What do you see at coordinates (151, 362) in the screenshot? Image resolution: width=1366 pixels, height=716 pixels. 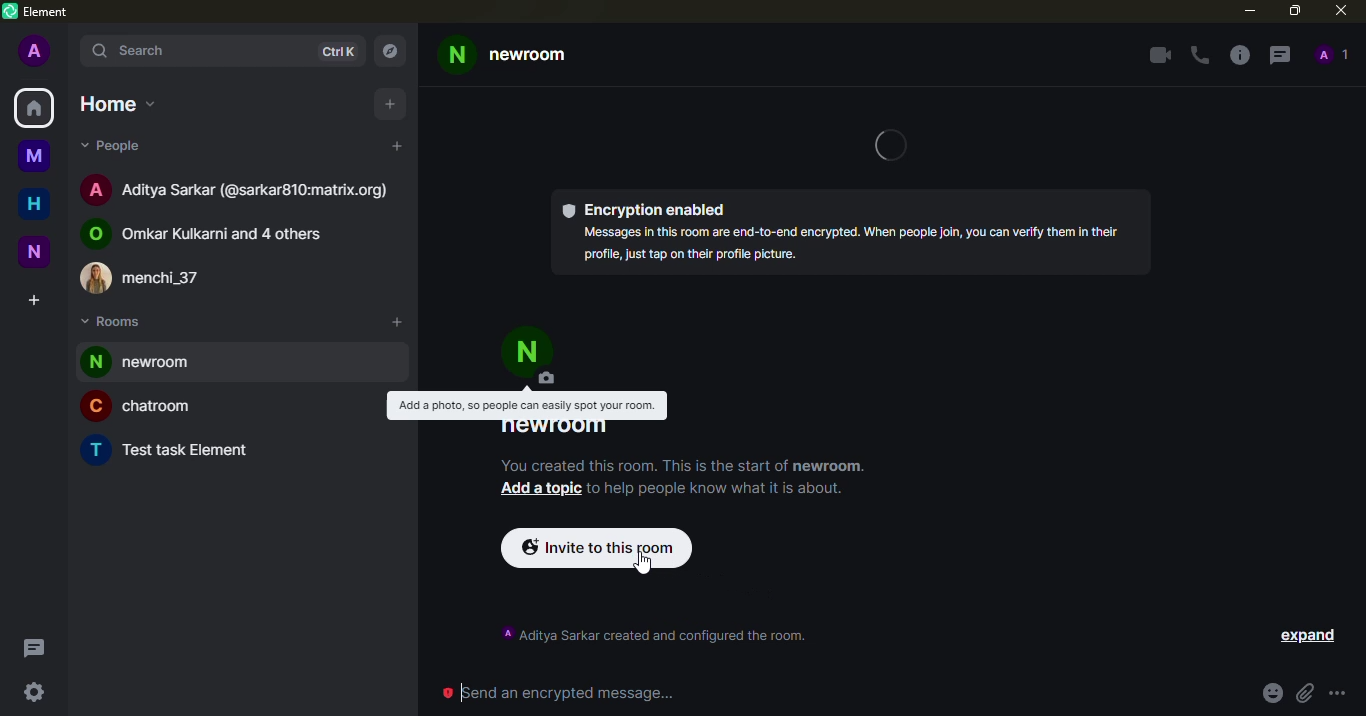 I see `room added` at bounding box center [151, 362].